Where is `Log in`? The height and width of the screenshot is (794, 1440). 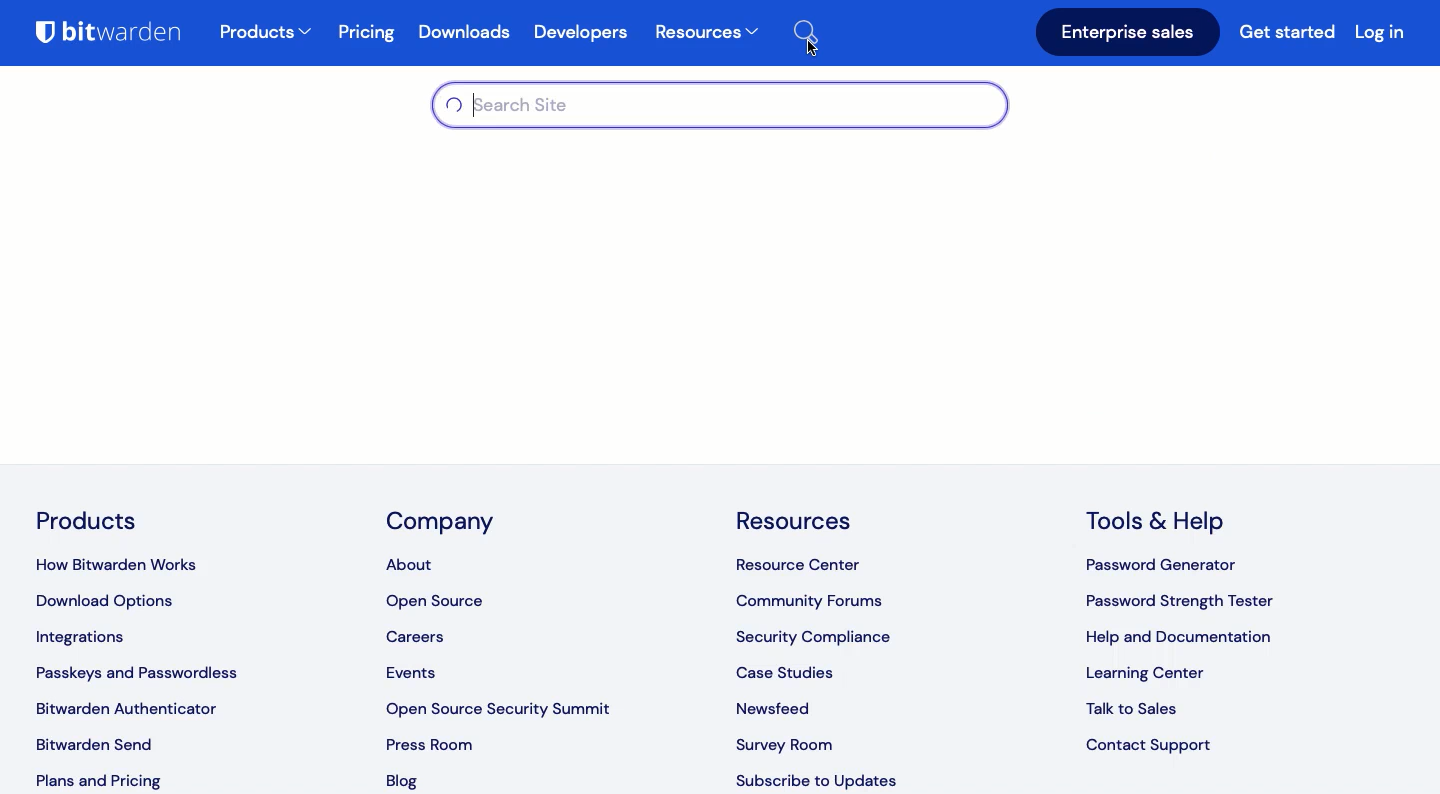 Log in is located at coordinates (1380, 31).